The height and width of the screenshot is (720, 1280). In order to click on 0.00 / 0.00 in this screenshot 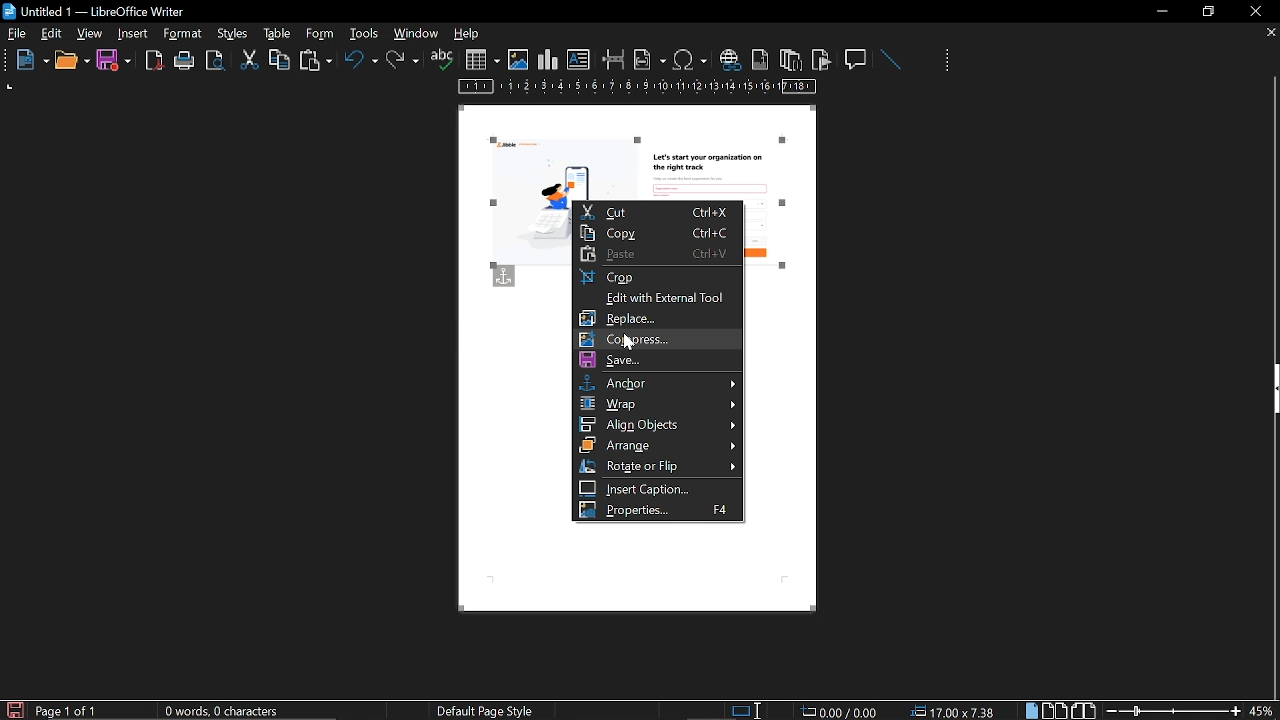, I will do `click(842, 710)`.